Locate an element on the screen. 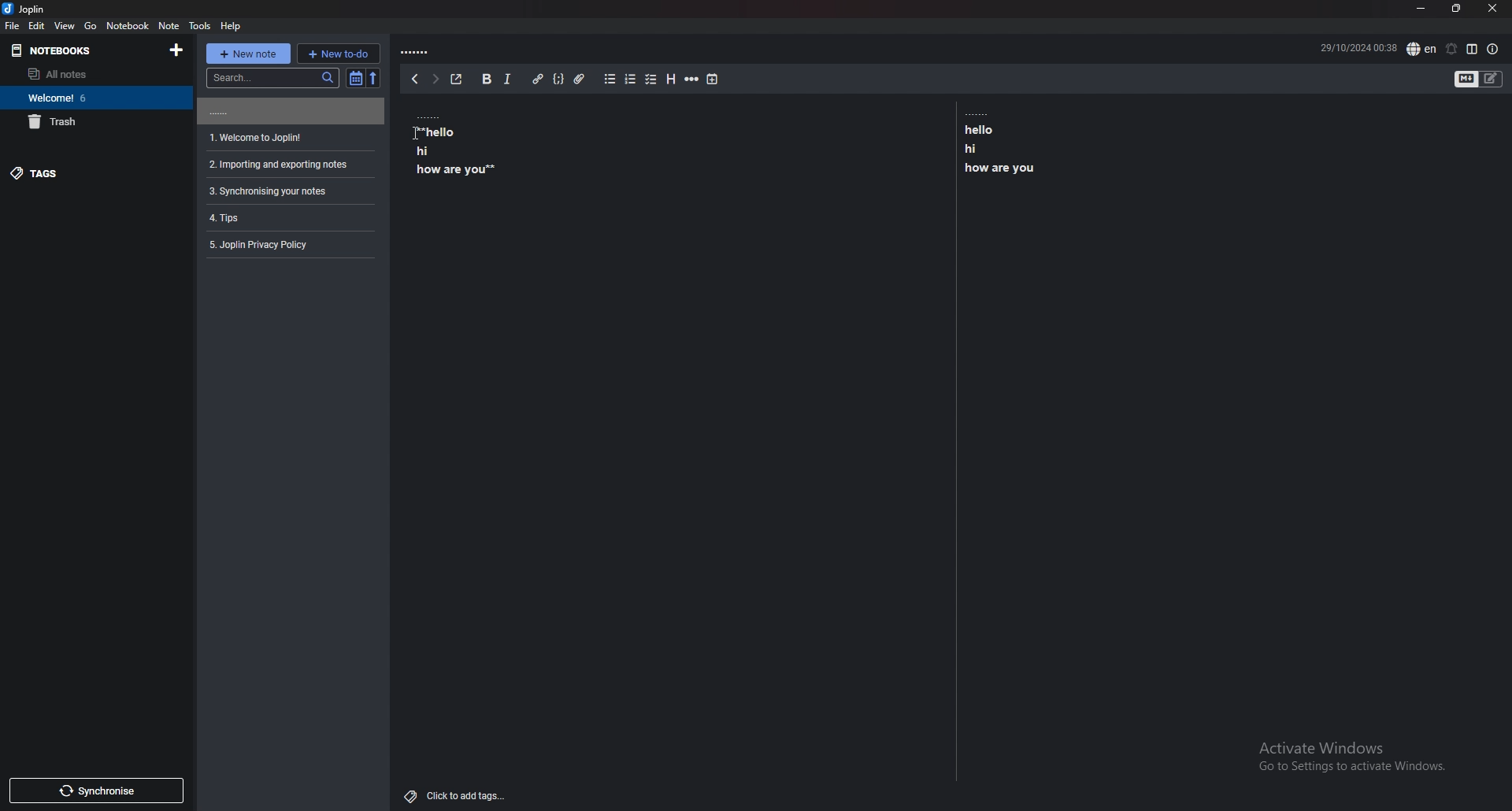 This screenshot has width=1512, height=811. reverse sort order is located at coordinates (375, 78).